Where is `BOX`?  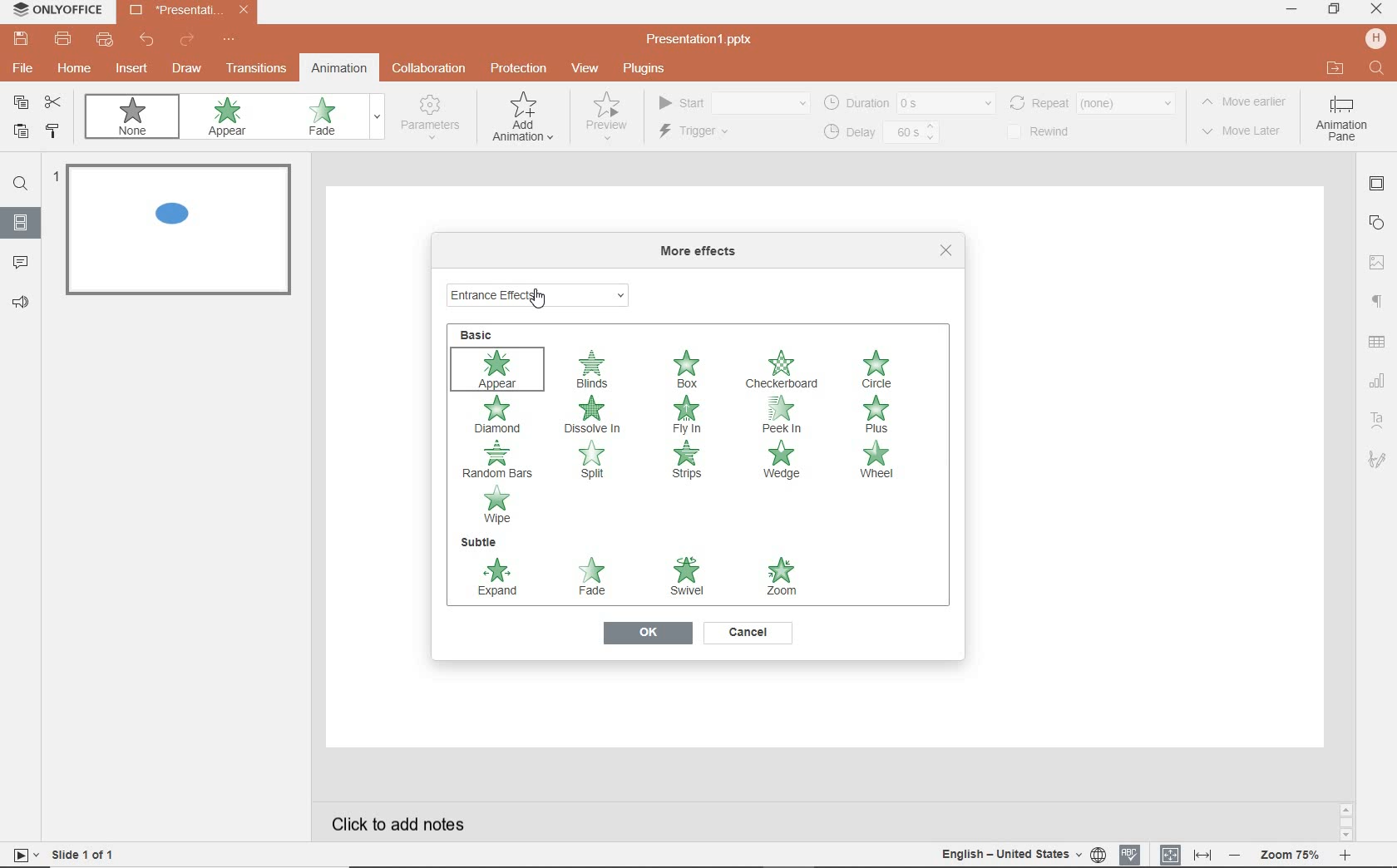
BOX is located at coordinates (688, 367).